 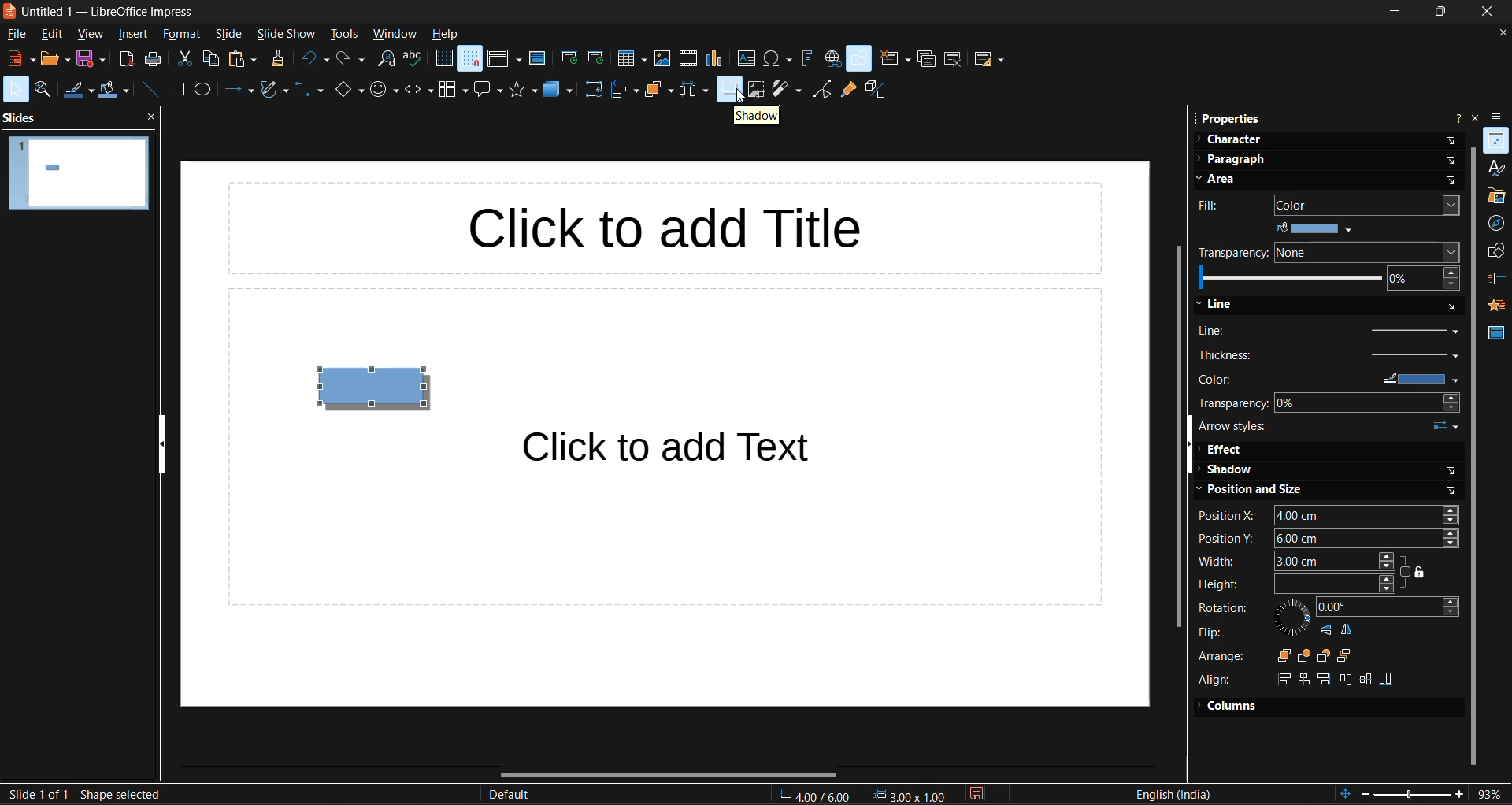 I want to click on slideshow, so click(x=284, y=35).